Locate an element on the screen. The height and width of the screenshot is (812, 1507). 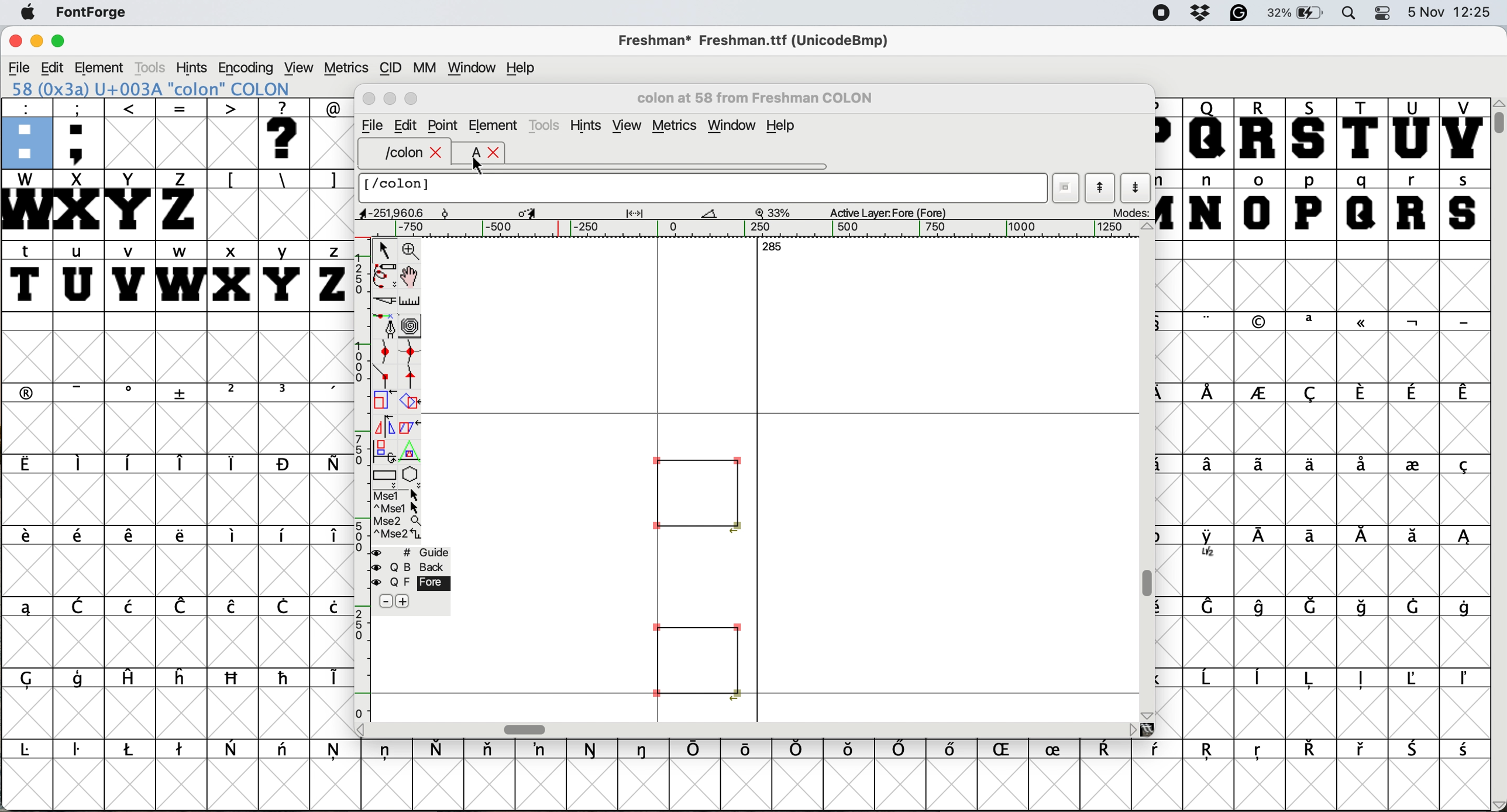
encoding is located at coordinates (246, 68).